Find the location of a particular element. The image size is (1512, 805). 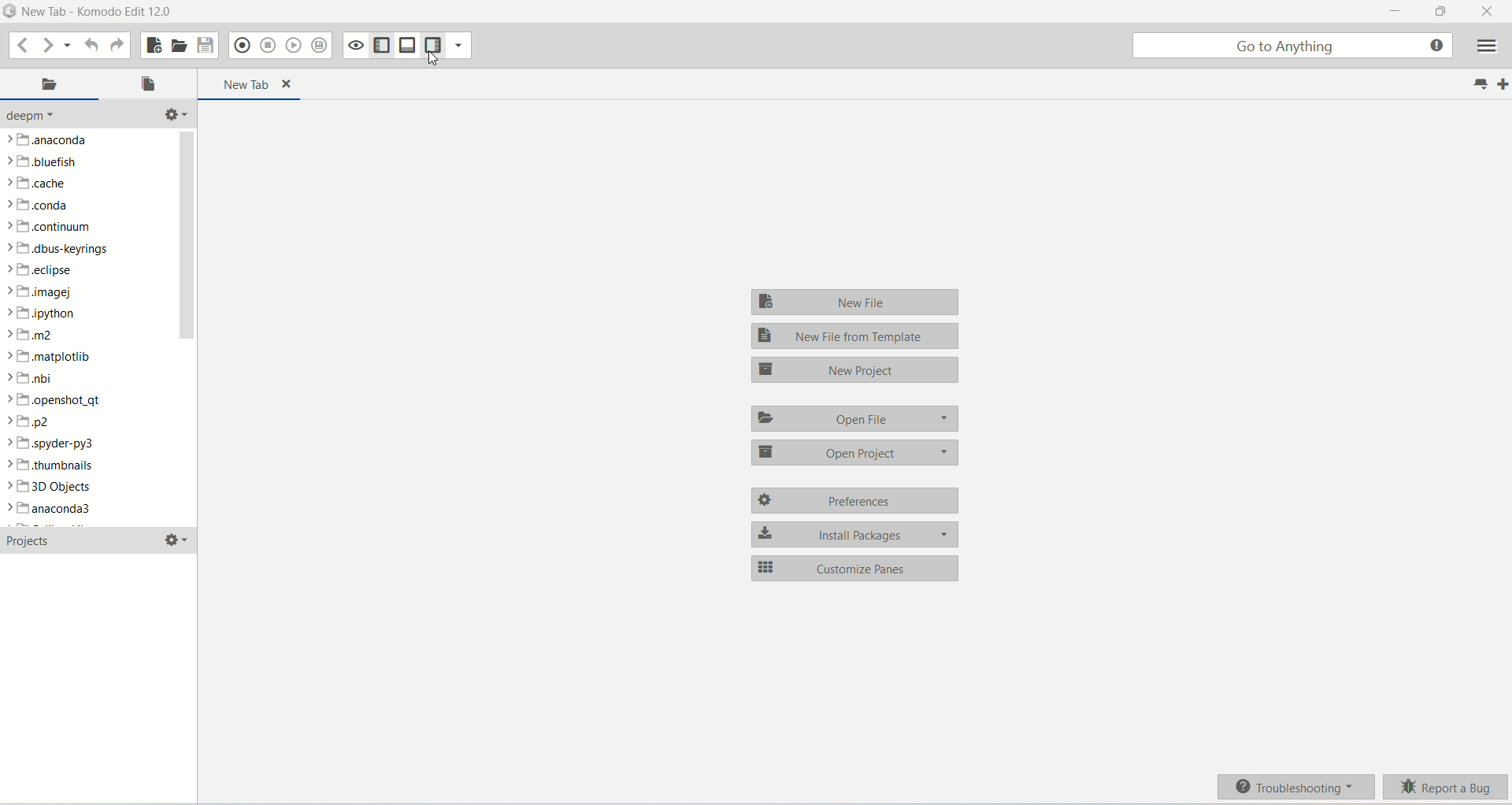

nbi is located at coordinates (29, 378).